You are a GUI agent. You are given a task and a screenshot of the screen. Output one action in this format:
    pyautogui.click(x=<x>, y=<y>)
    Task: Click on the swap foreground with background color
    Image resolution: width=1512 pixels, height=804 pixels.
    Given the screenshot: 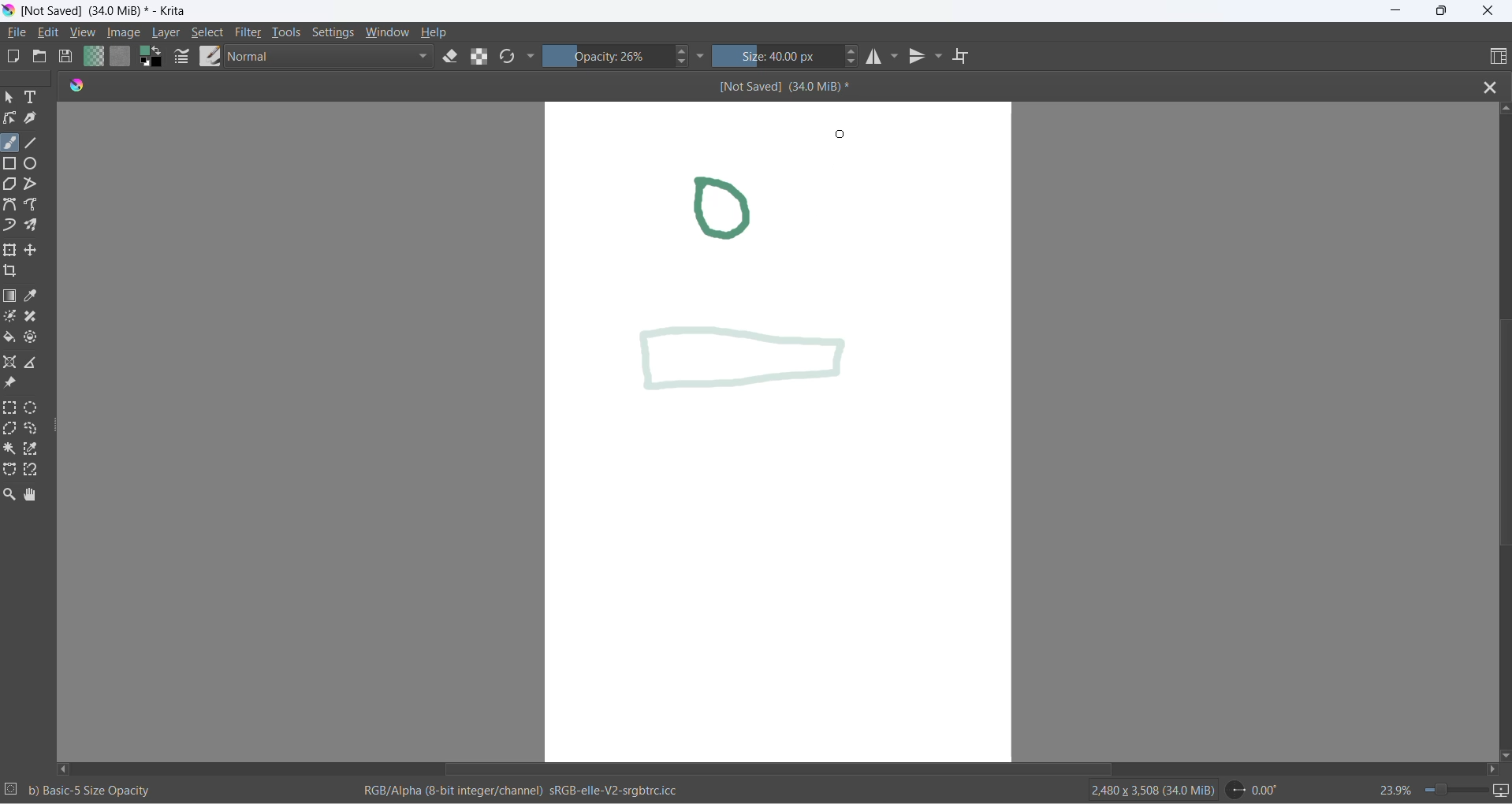 What is the action you would take?
    pyautogui.click(x=153, y=57)
    